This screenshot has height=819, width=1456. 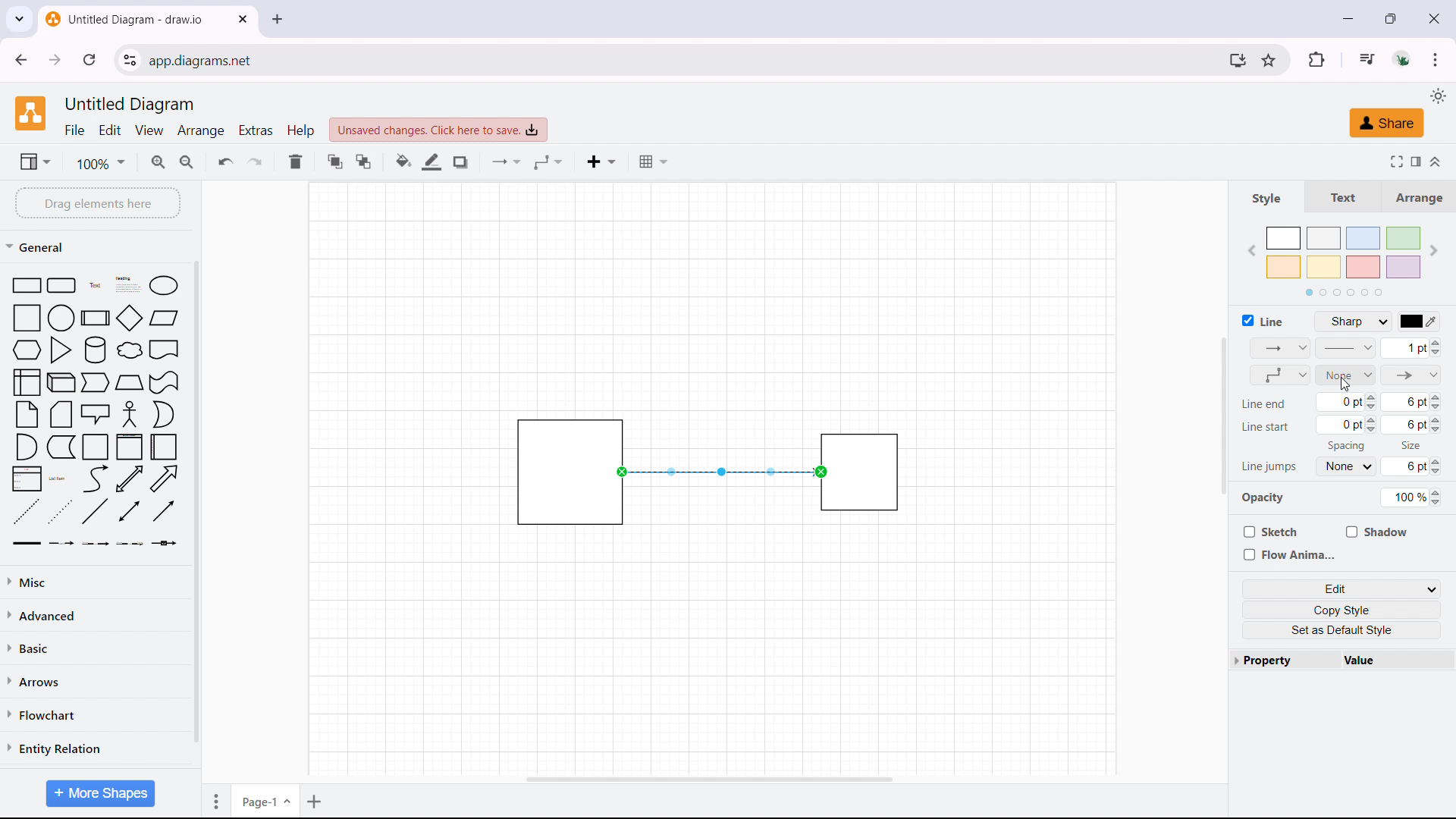 What do you see at coordinates (1396, 659) in the screenshot?
I see `value` at bounding box center [1396, 659].